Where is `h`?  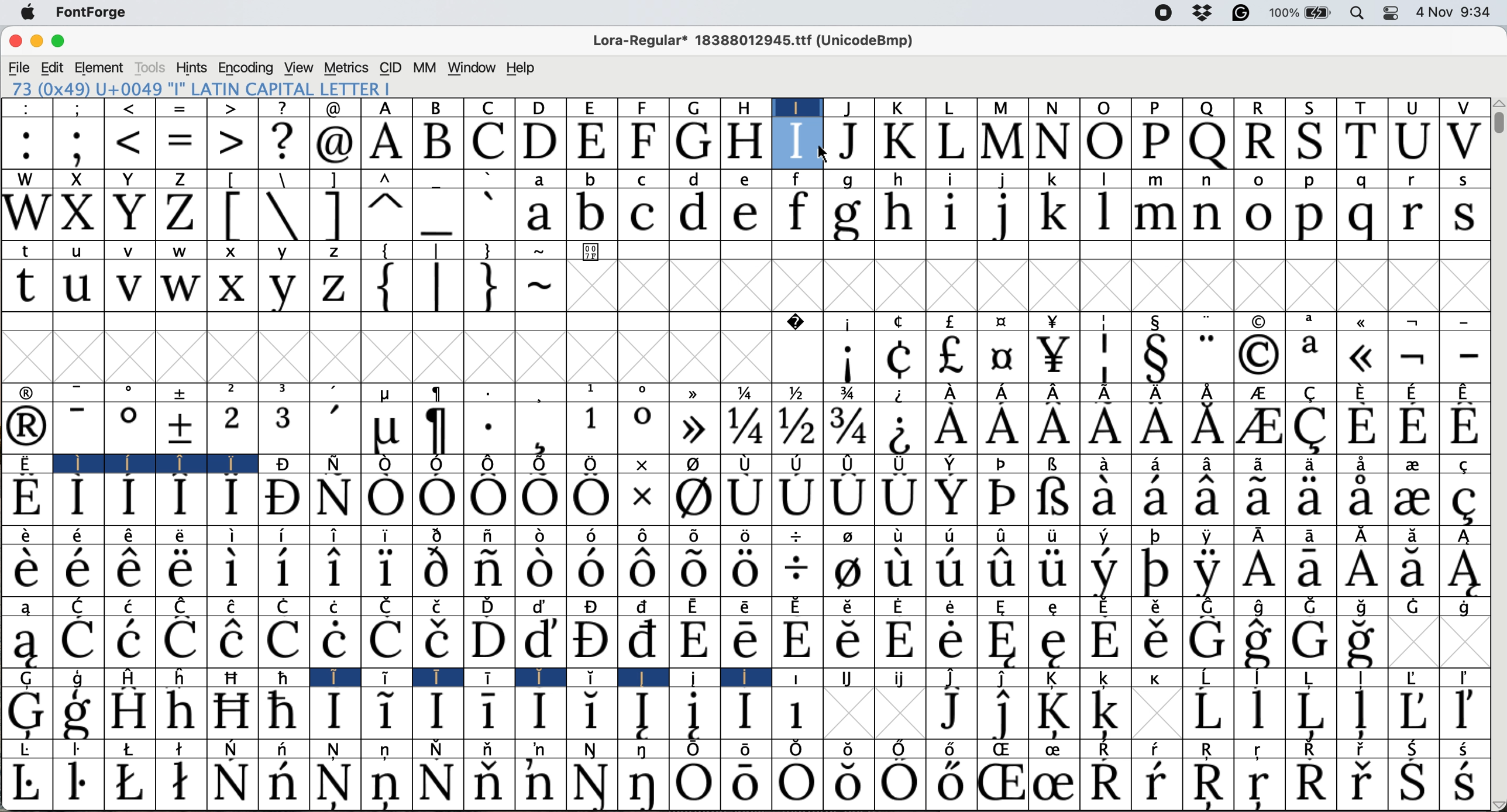 h is located at coordinates (184, 677).